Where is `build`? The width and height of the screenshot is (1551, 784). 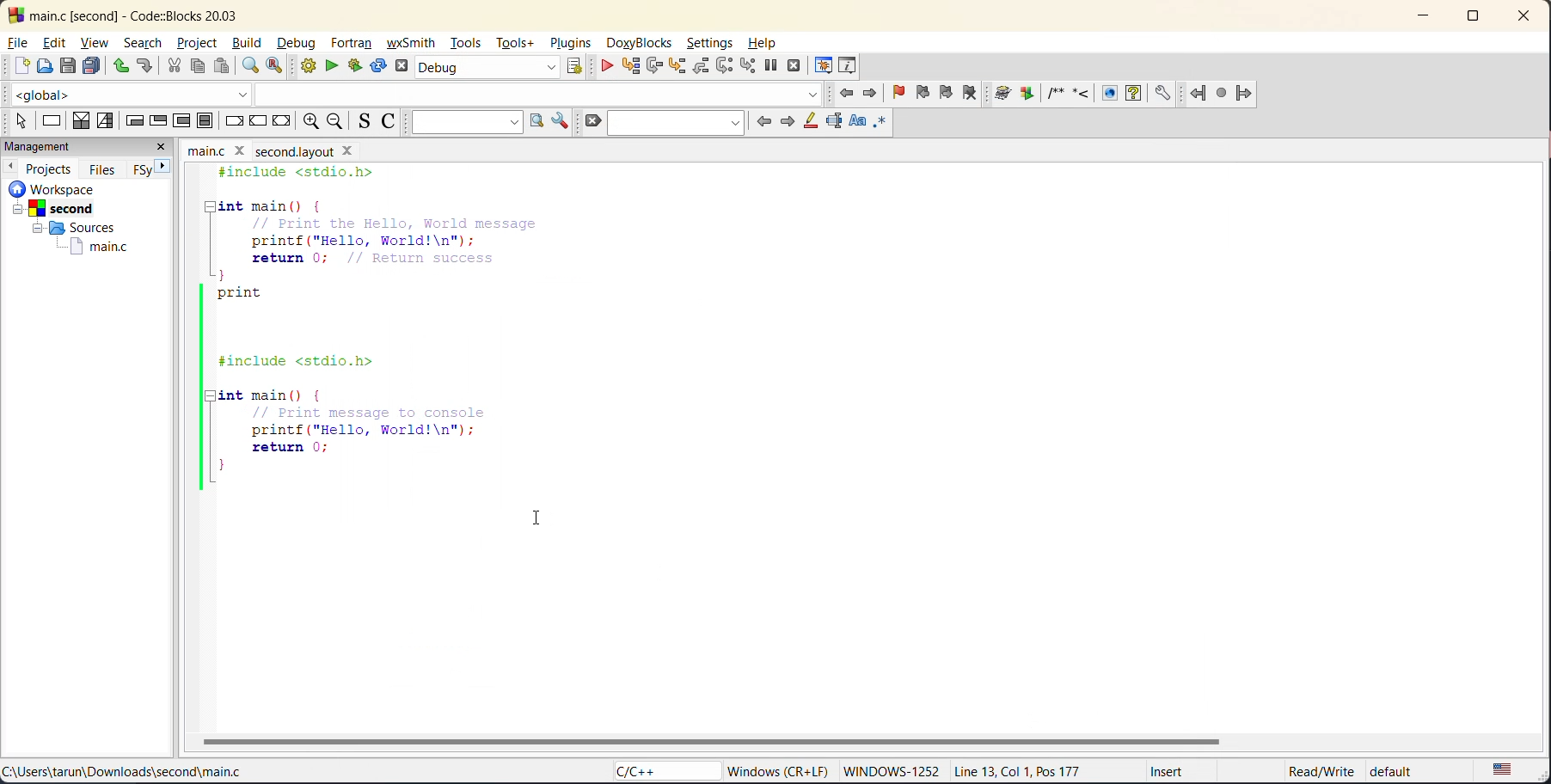
build is located at coordinates (310, 68).